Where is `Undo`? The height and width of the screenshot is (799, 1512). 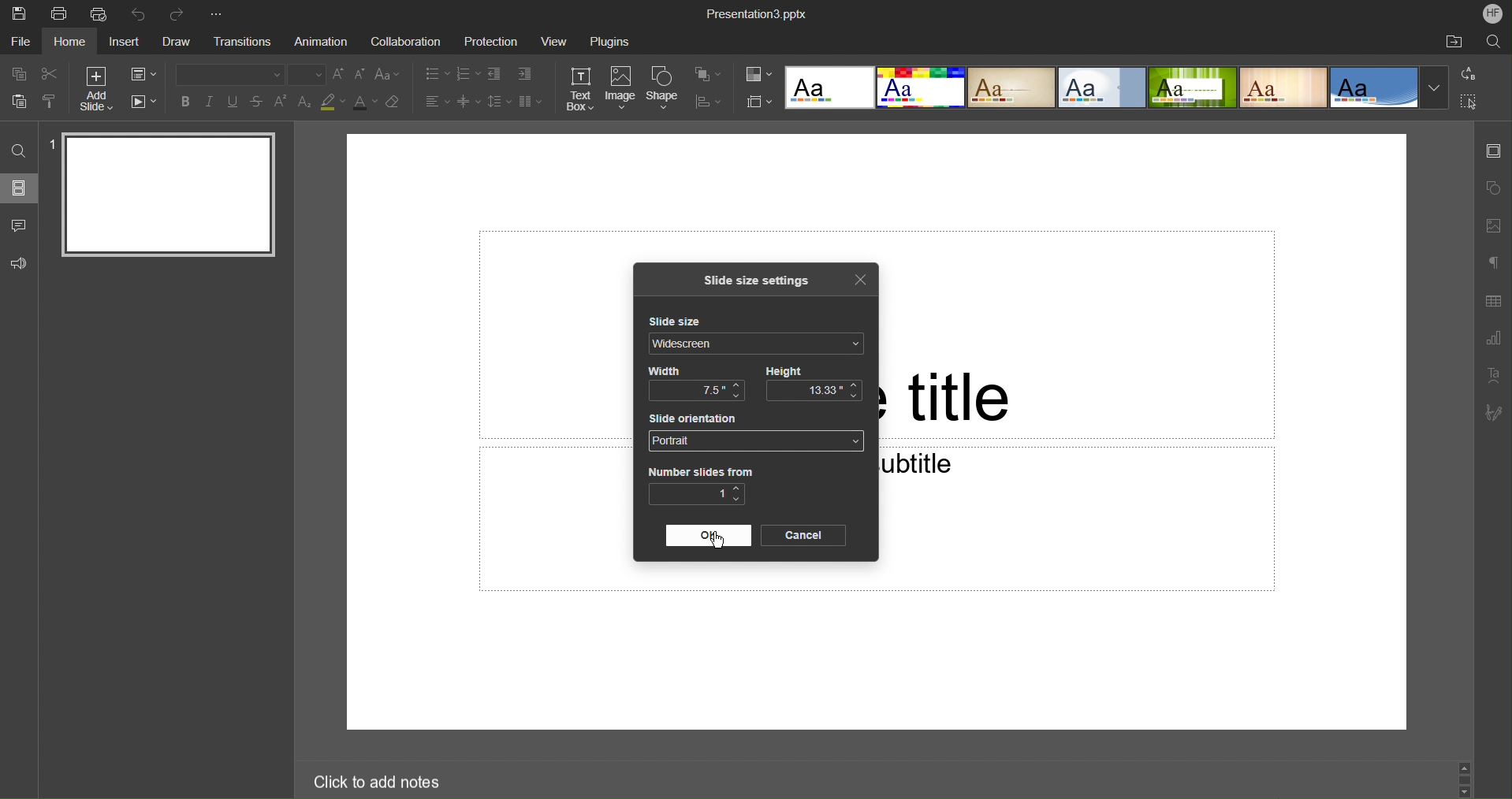
Undo is located at coordinates (140, 13).